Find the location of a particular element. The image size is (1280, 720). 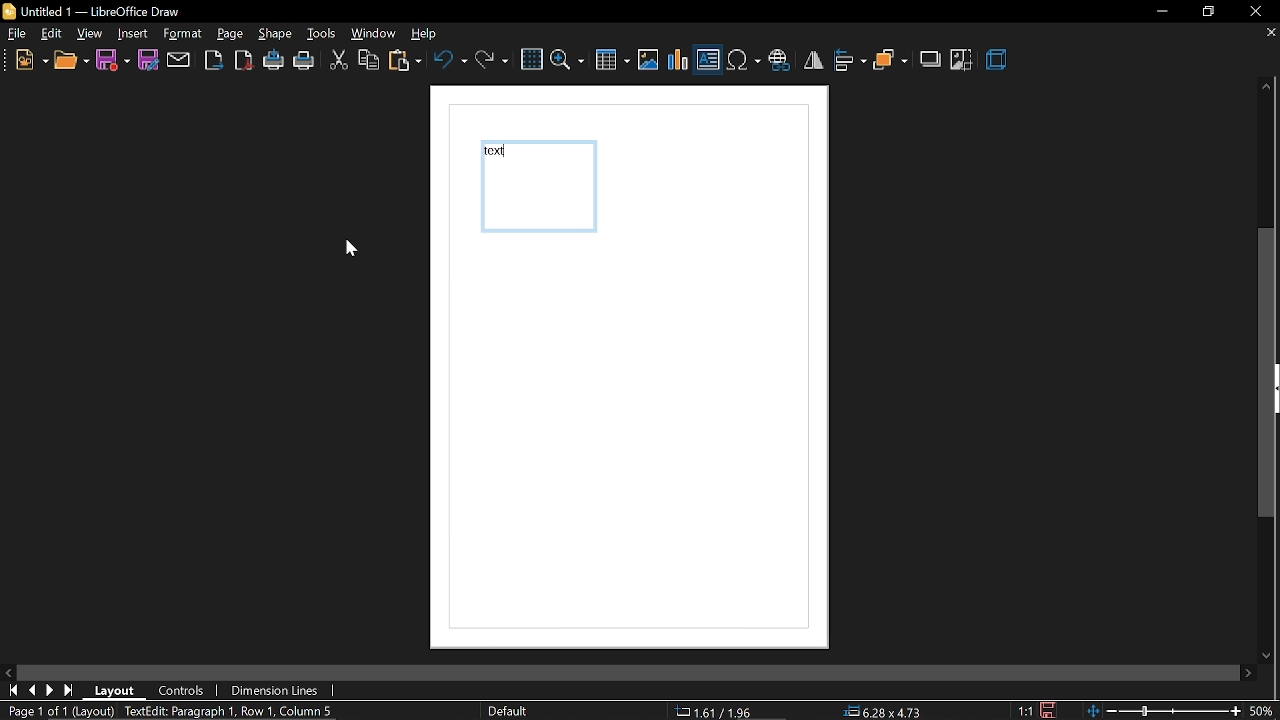

restore down is located at coordinates (1208, 11).